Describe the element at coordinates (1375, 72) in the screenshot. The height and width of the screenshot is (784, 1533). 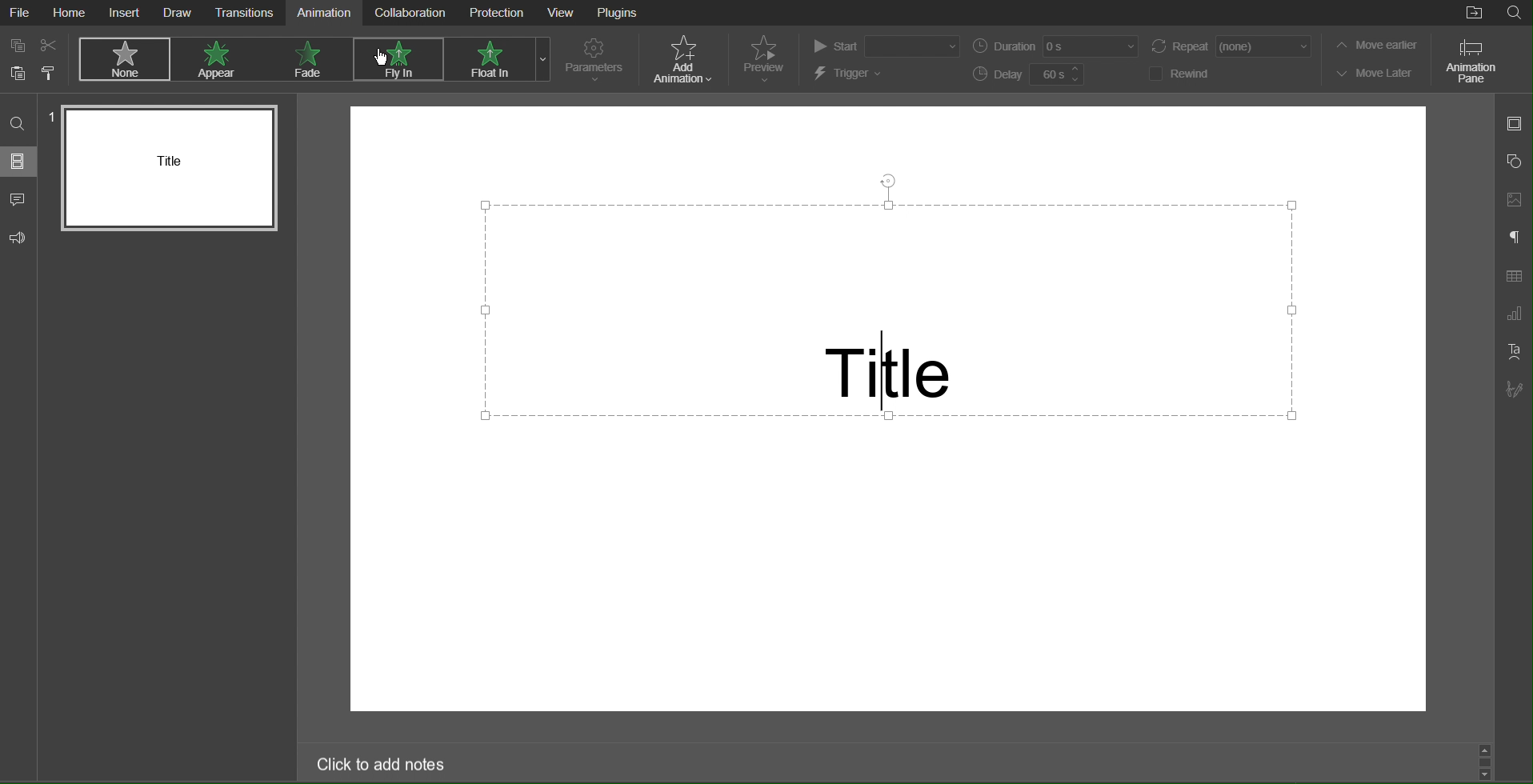
I see `Move Later` at that location.